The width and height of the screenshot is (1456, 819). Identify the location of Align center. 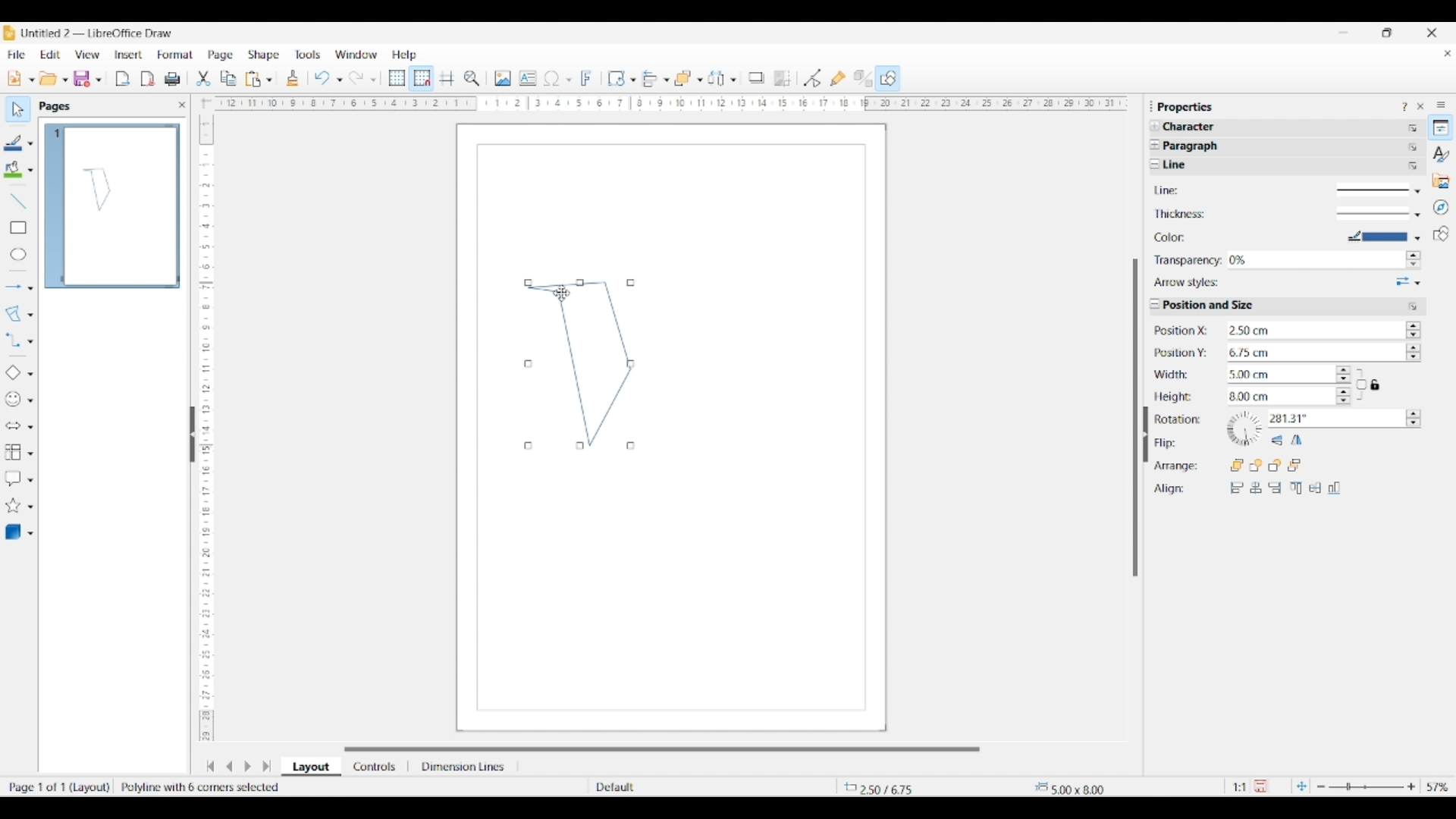
(1315, 488).